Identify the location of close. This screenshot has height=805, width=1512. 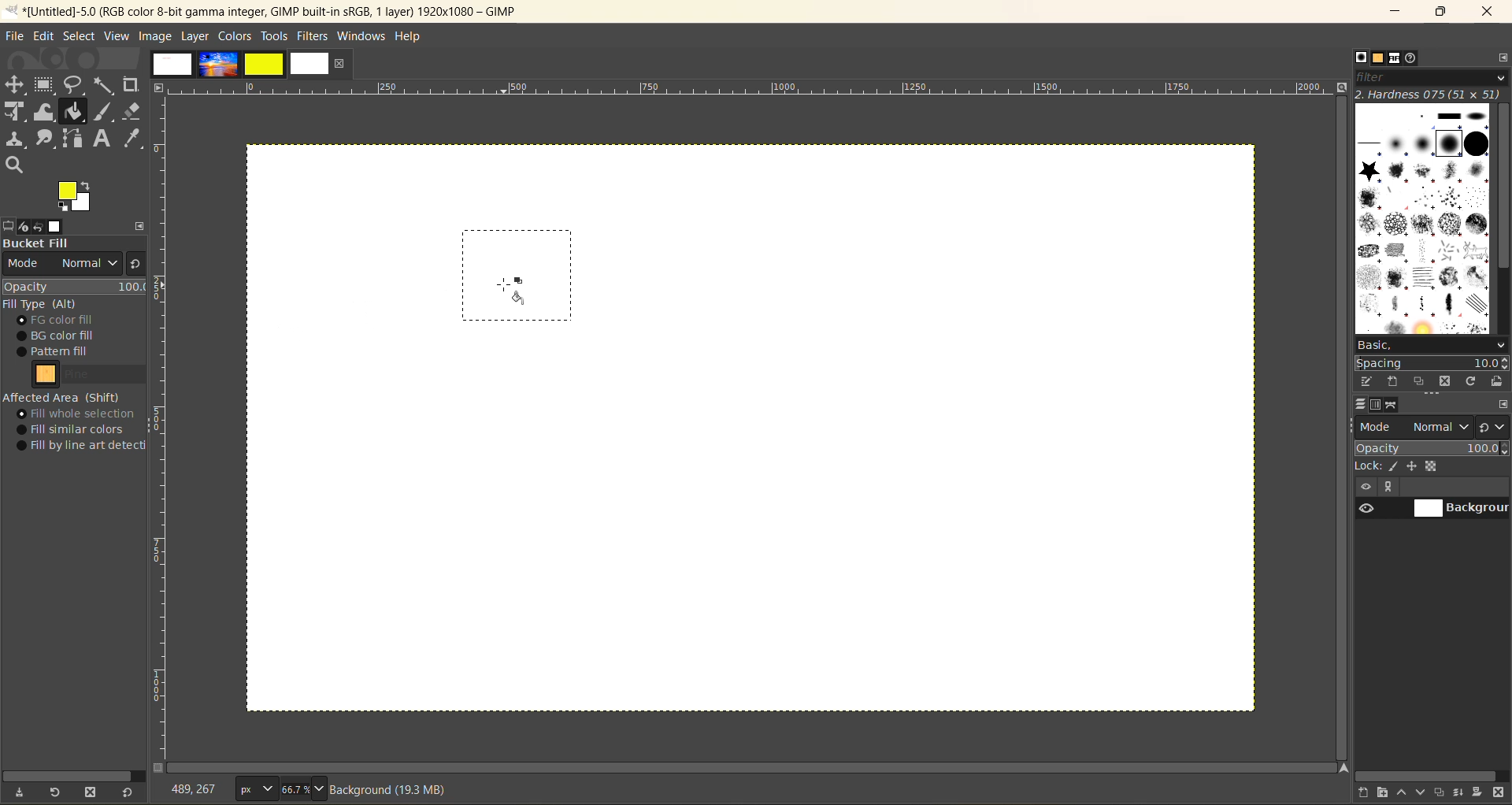
(1491, 11).